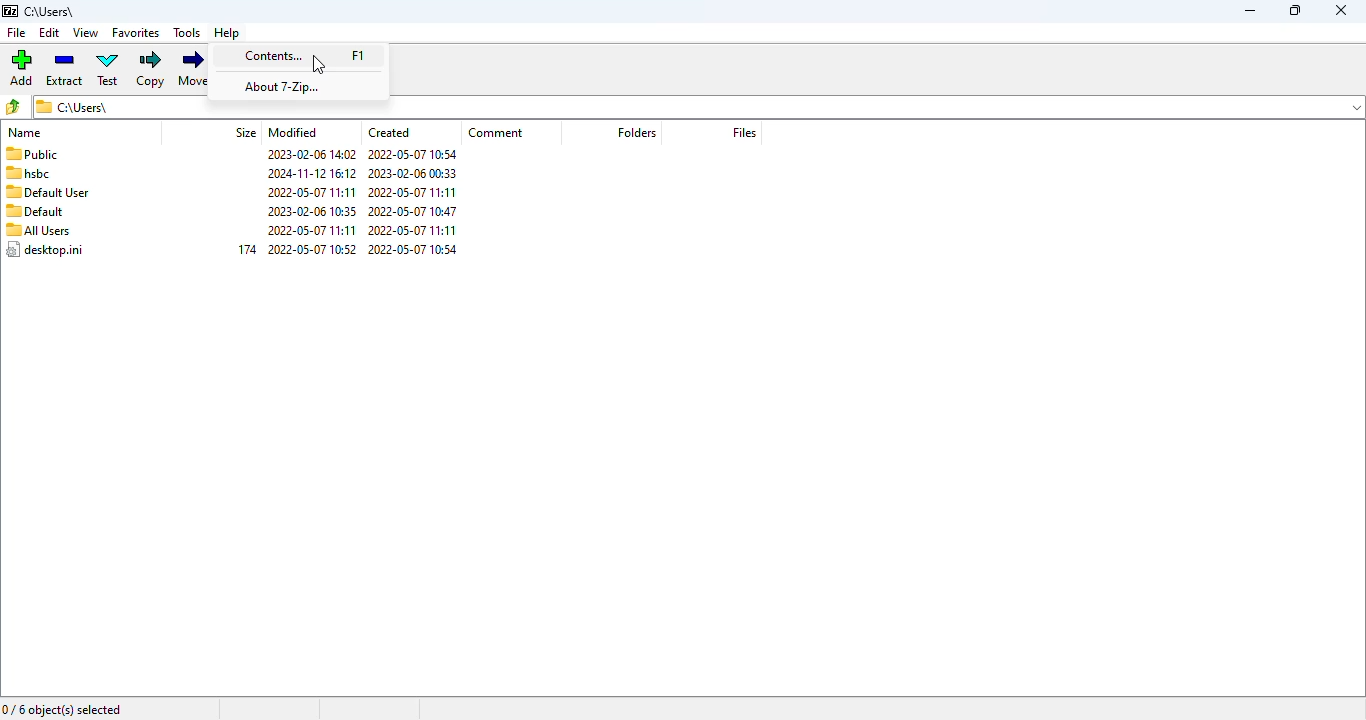 The height and width of the screenshot is (720, 1366). What do you see at coordinates (87, 33) in the screenshot?
I see `view` at bounding box center [87, 33].